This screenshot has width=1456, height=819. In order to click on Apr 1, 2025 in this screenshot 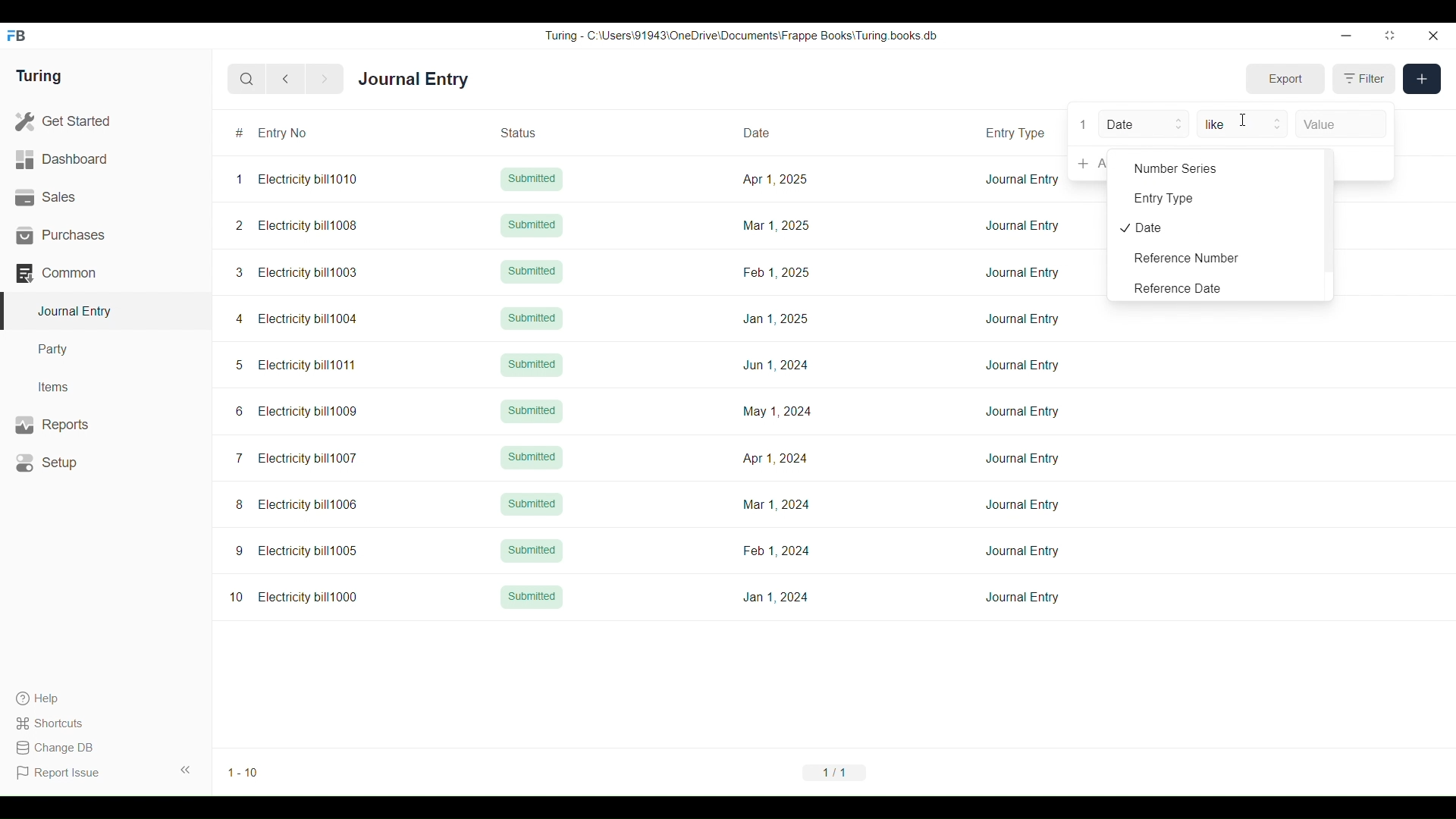, I will do `click(774, 178)`.